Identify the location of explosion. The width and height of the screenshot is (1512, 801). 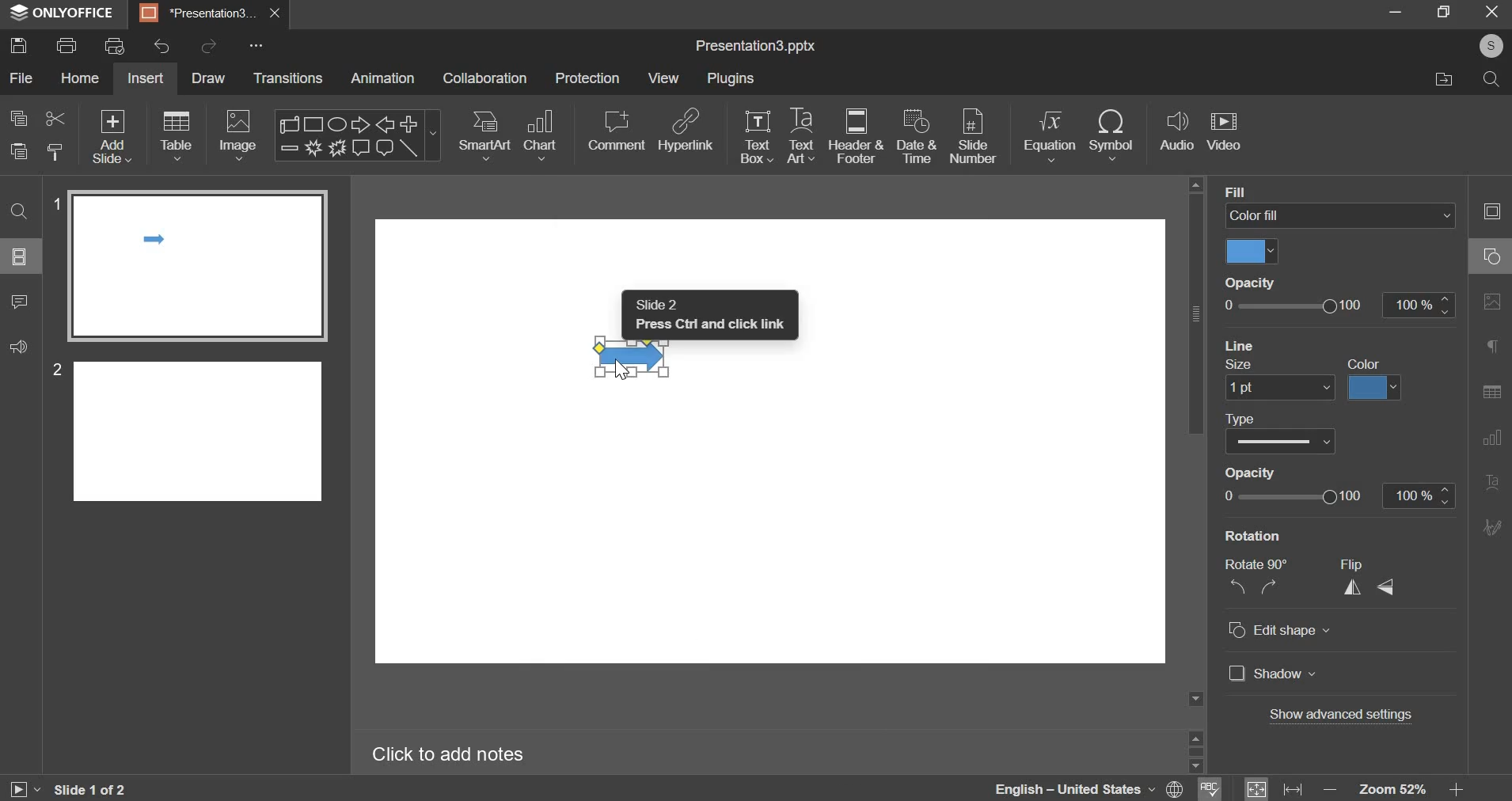
(311, 148).